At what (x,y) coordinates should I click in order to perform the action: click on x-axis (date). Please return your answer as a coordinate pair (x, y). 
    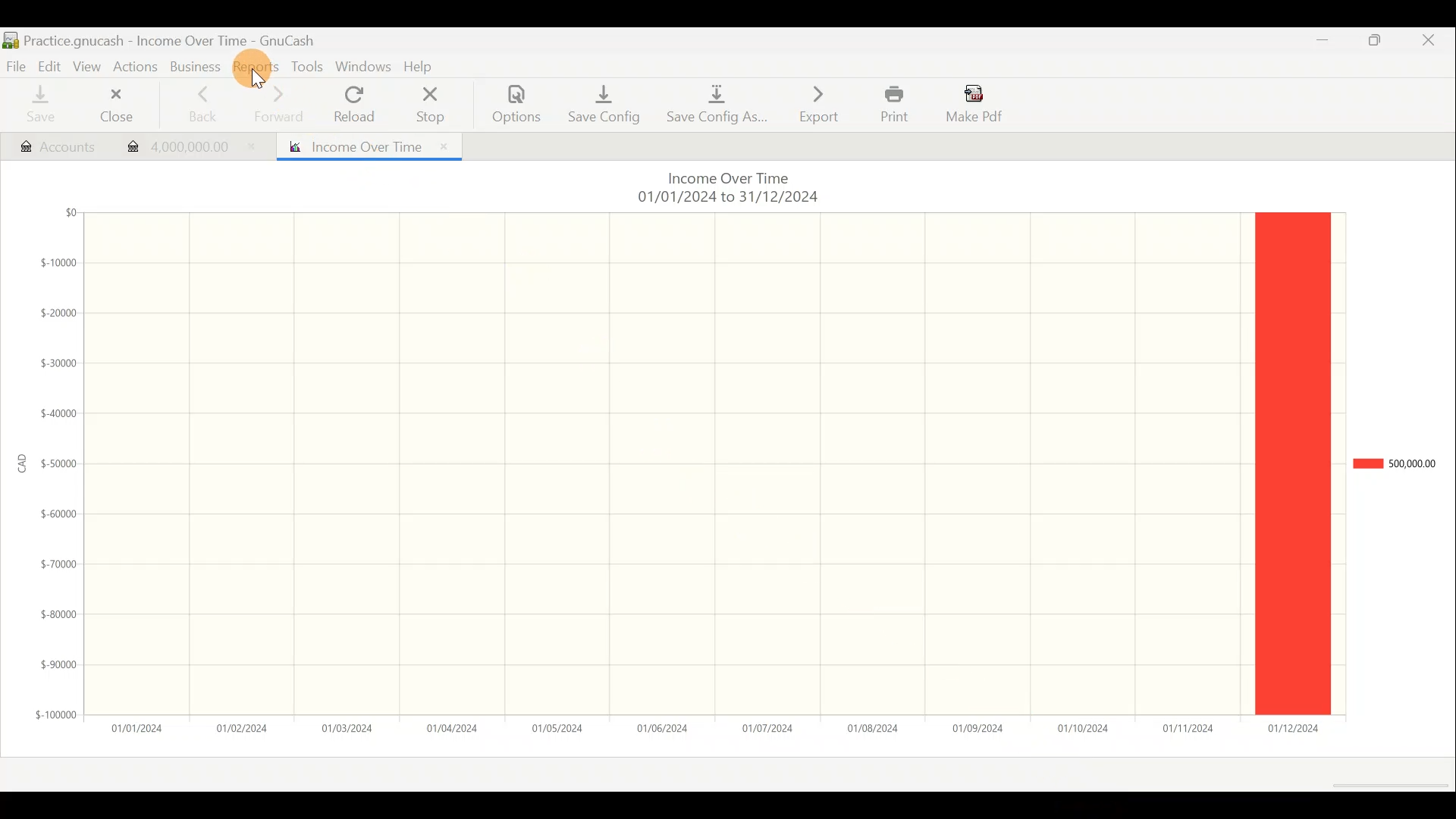
    Looking at the image, I should click on (713, 736).